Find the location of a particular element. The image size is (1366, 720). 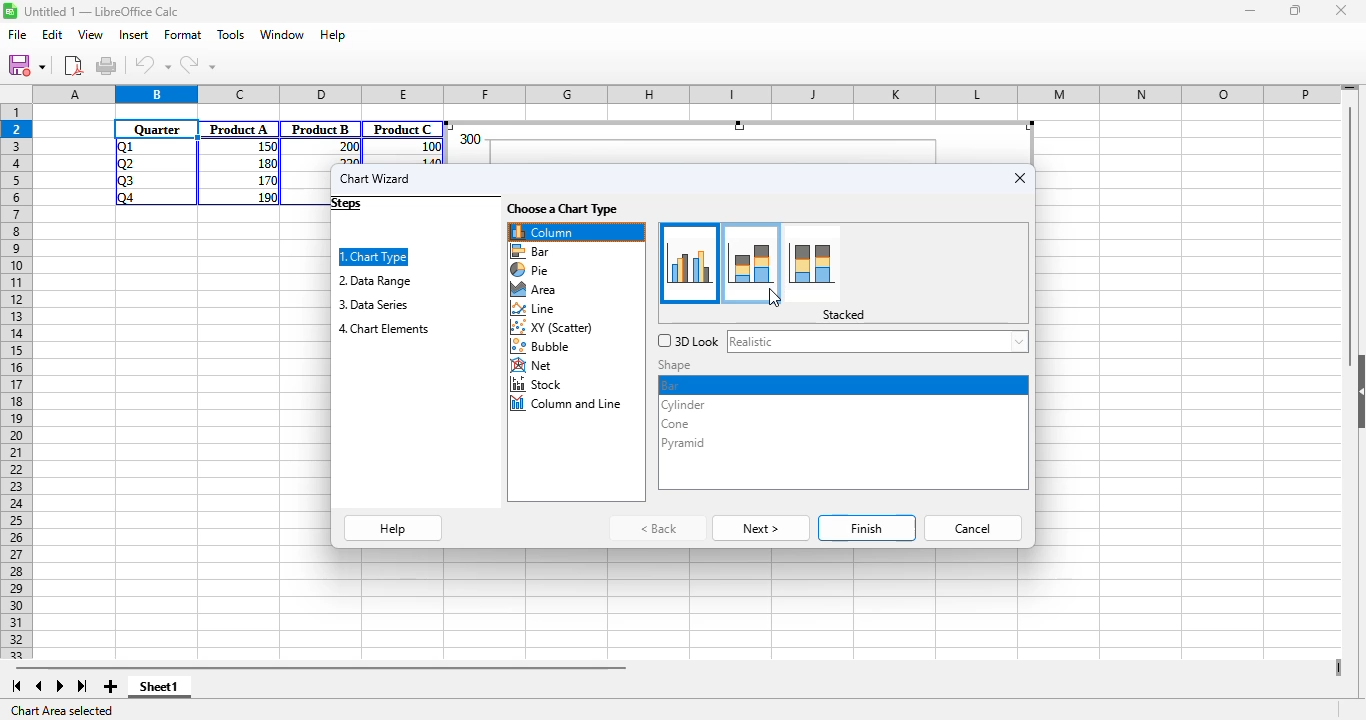

net is located at coordinates (533, 366).